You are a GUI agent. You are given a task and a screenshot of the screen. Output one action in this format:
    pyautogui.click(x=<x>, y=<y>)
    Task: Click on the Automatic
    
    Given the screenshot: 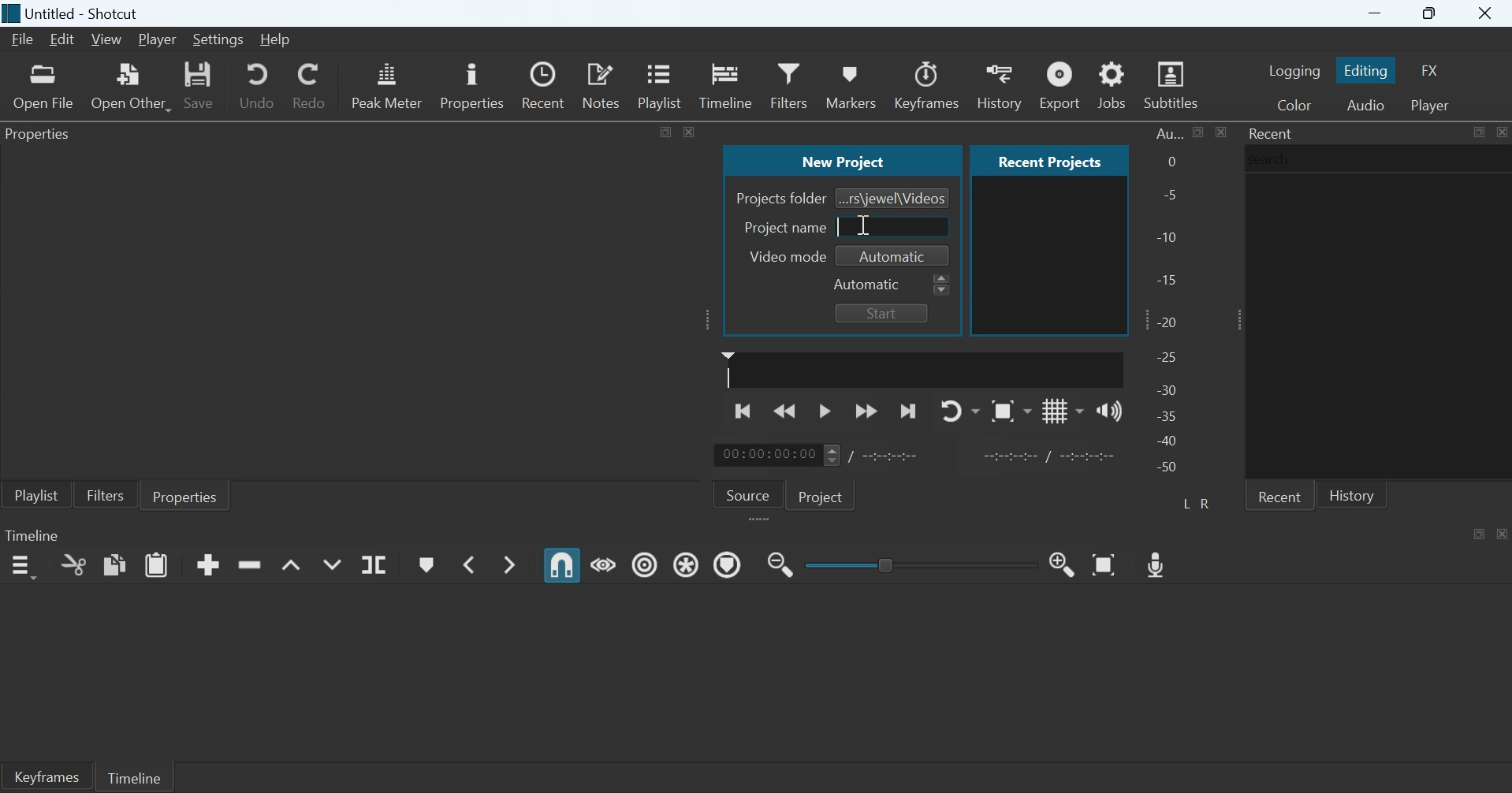 What is the action you would take?
    pyautogui.click(x=868, y=285)
    